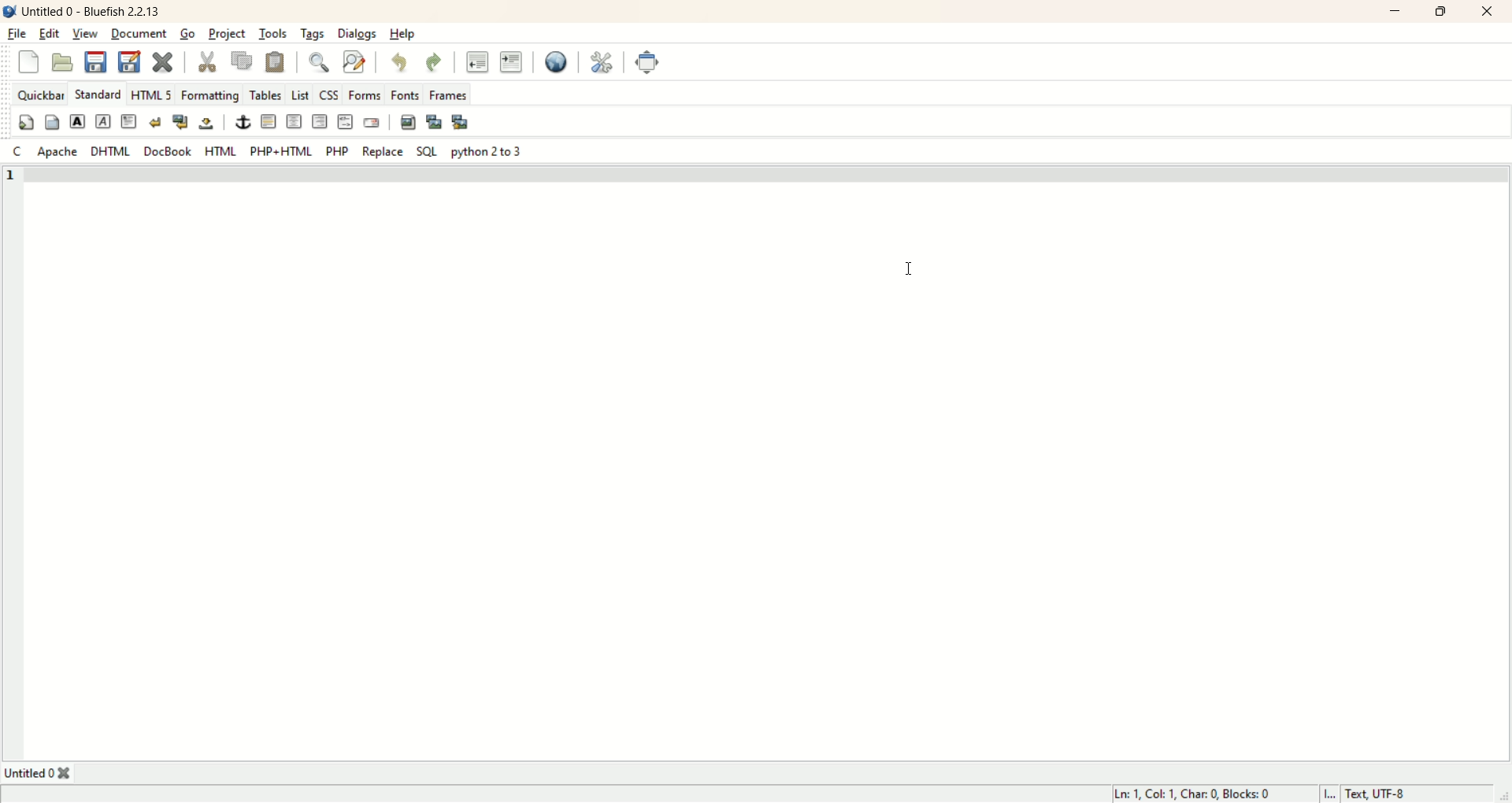 The width and height of the screenshot is (1512, 803). What do you see at coordinates (13, 151) in the screenshot?
I see `C` at bounding box center [13, 151].